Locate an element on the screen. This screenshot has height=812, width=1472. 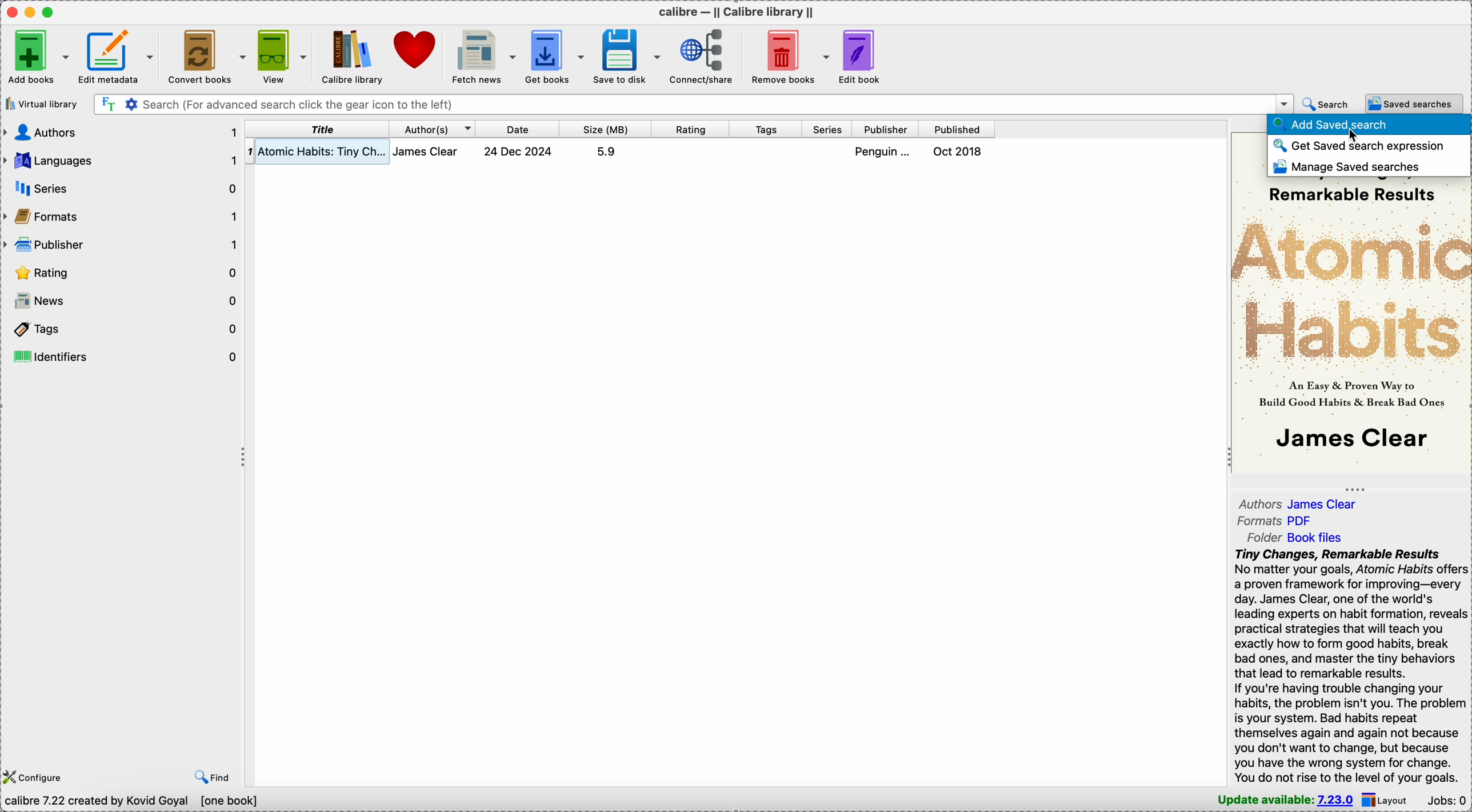
authors is located at coordinates (433, 129).